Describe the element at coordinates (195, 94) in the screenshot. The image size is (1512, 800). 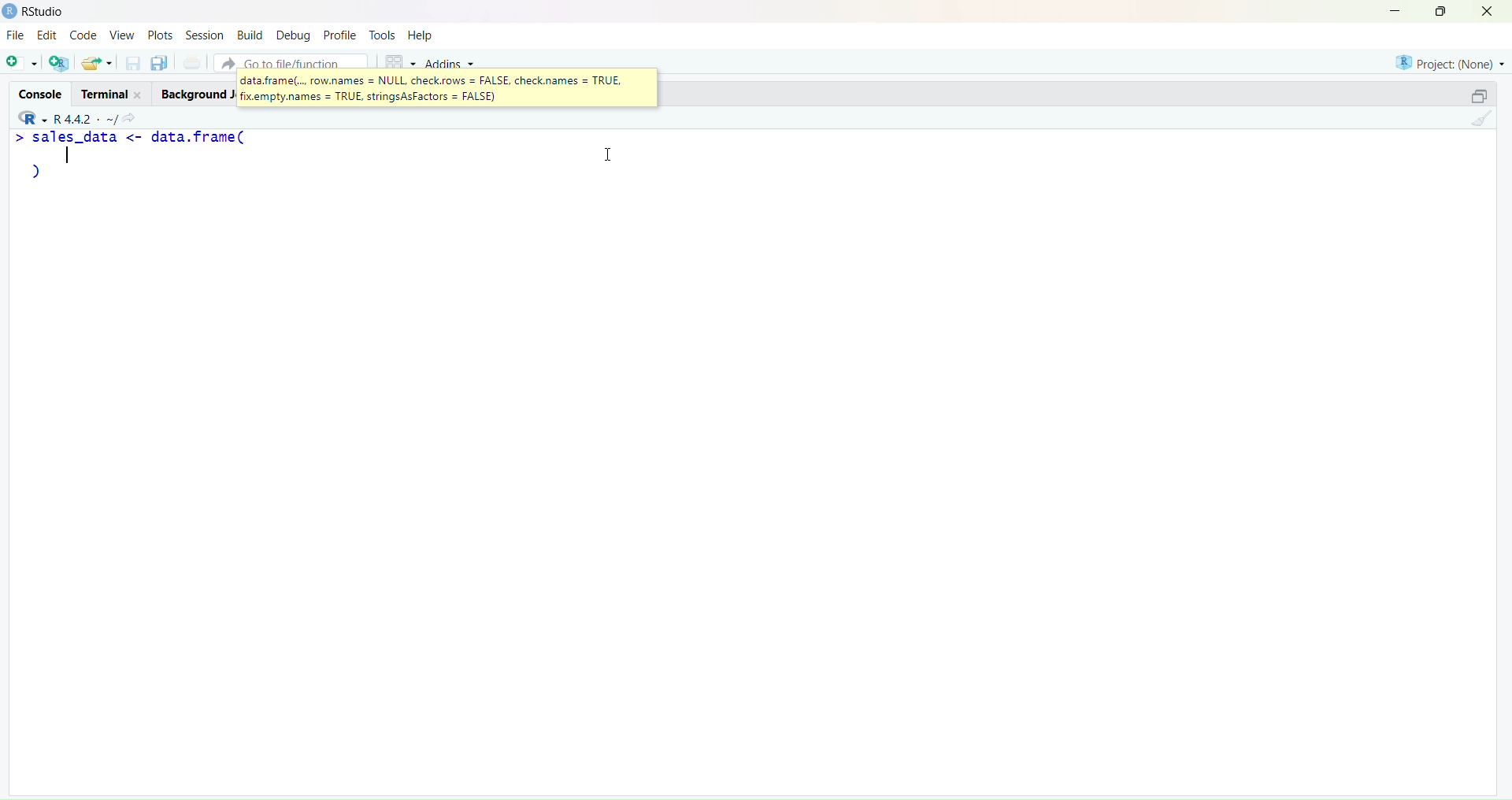
I see `Background Jobs` at that location.